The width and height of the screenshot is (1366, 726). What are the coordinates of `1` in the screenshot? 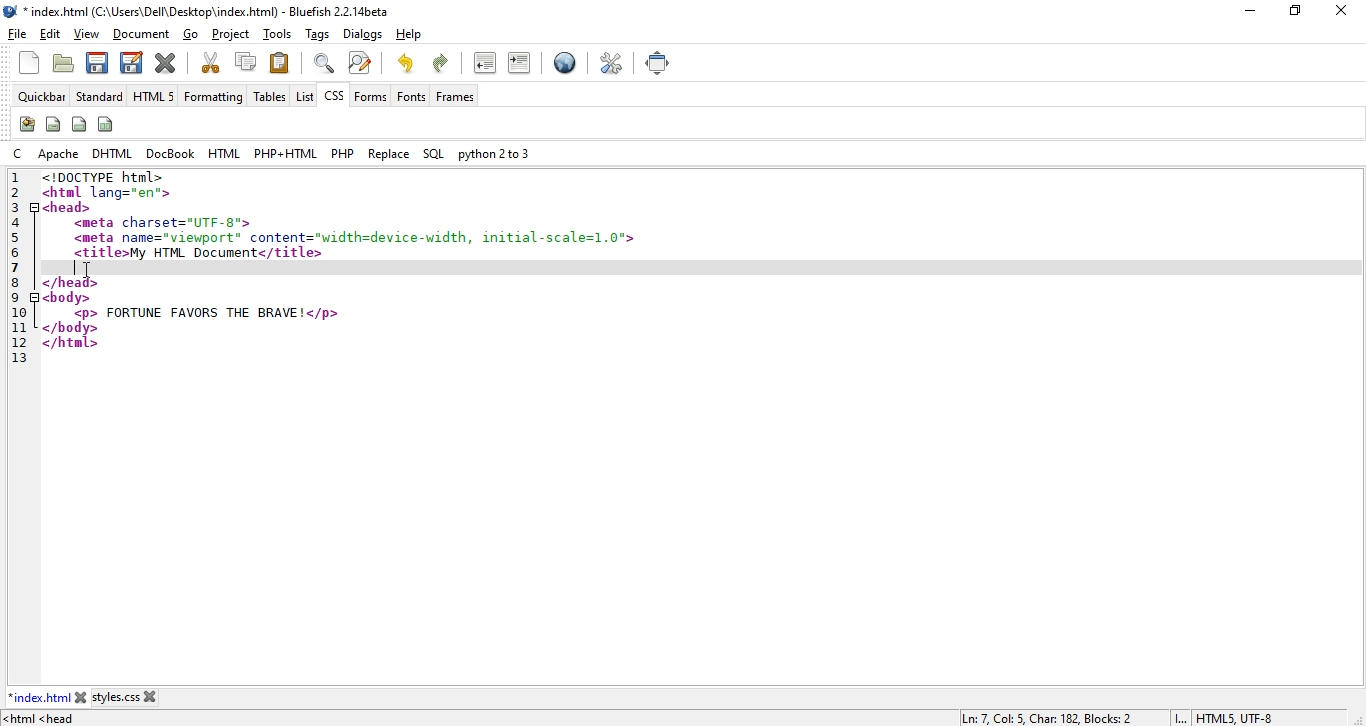 It's located at (15, 178).